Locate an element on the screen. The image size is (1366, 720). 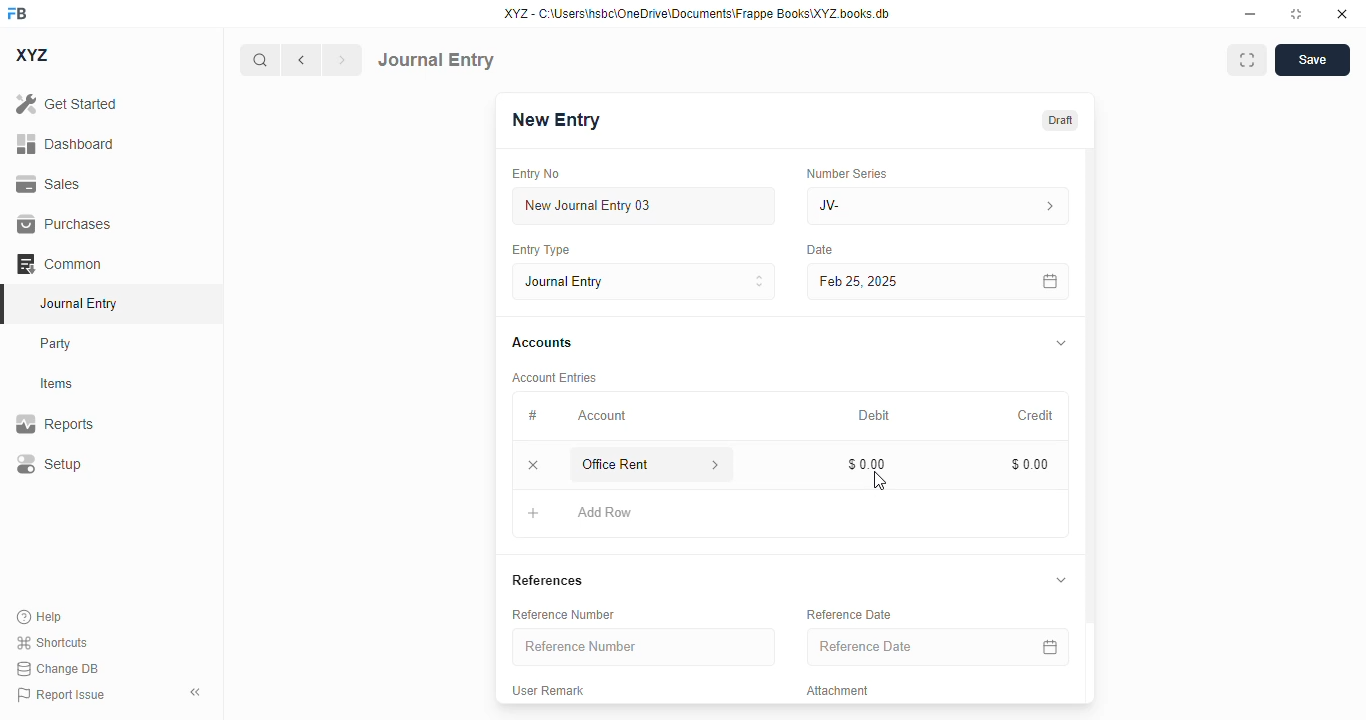
add is located at coordinates (534, 512).